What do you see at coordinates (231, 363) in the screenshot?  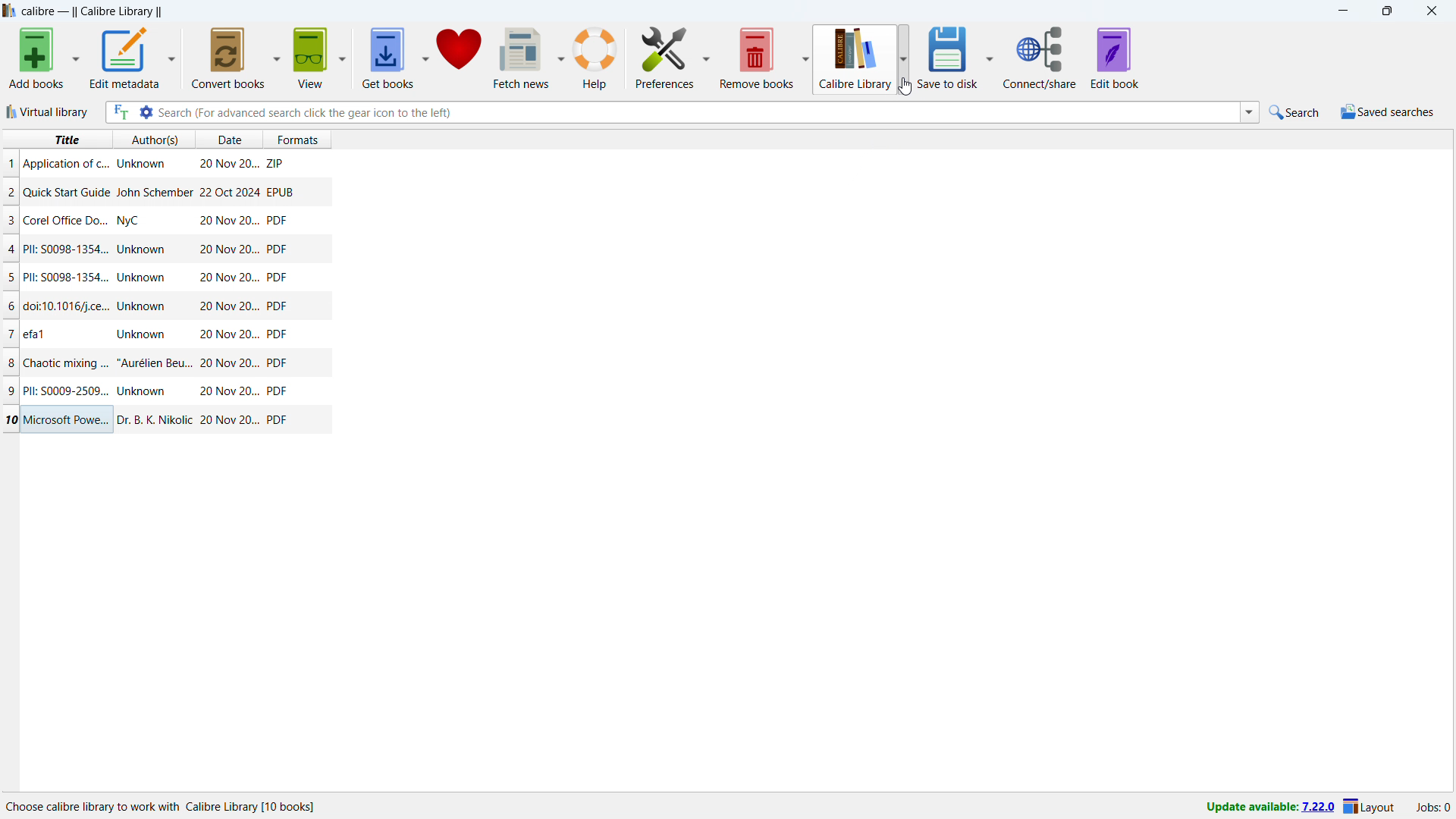 I see `Date` at bounding box center [231, 363].